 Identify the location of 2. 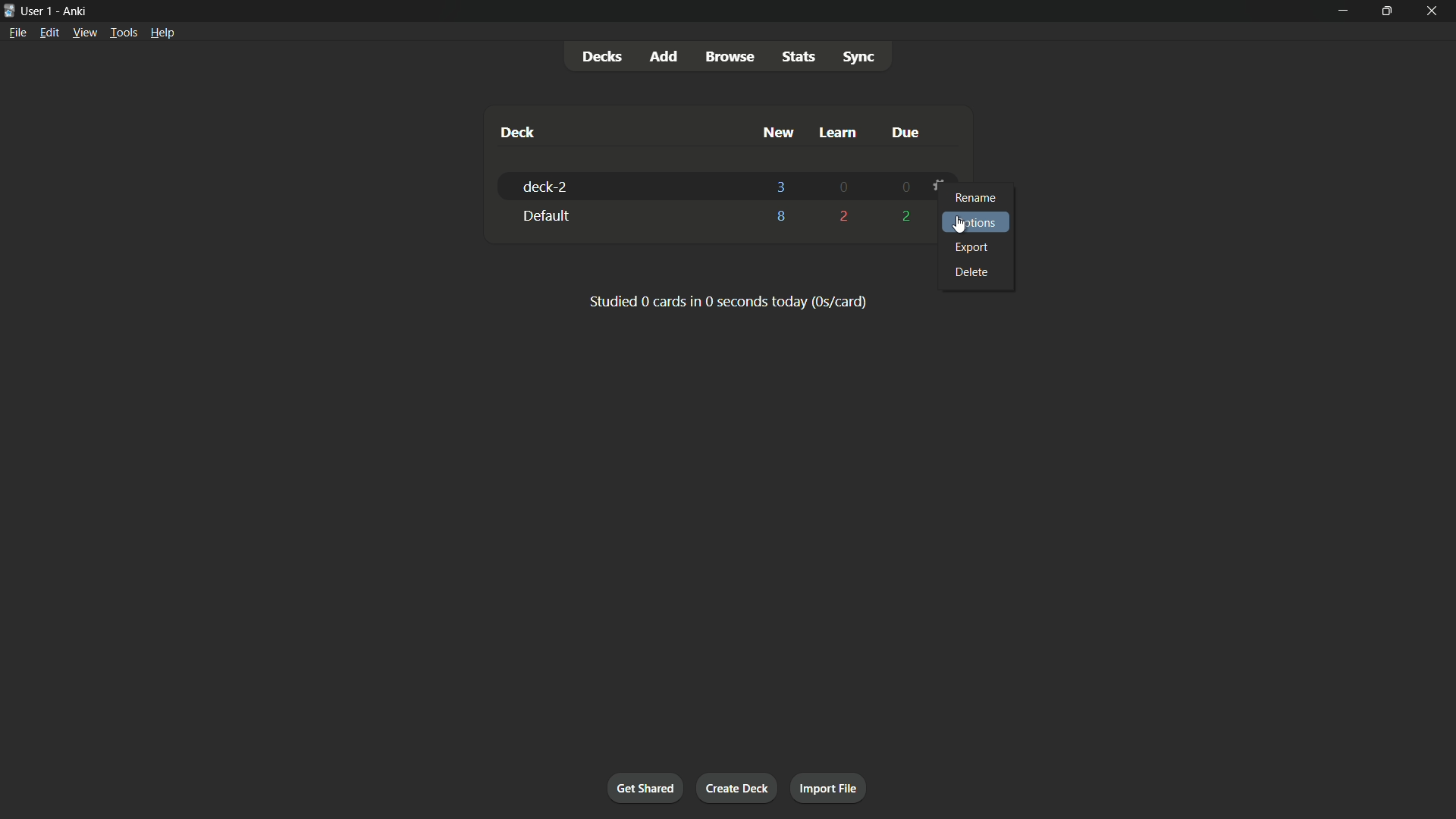
(844, 215).